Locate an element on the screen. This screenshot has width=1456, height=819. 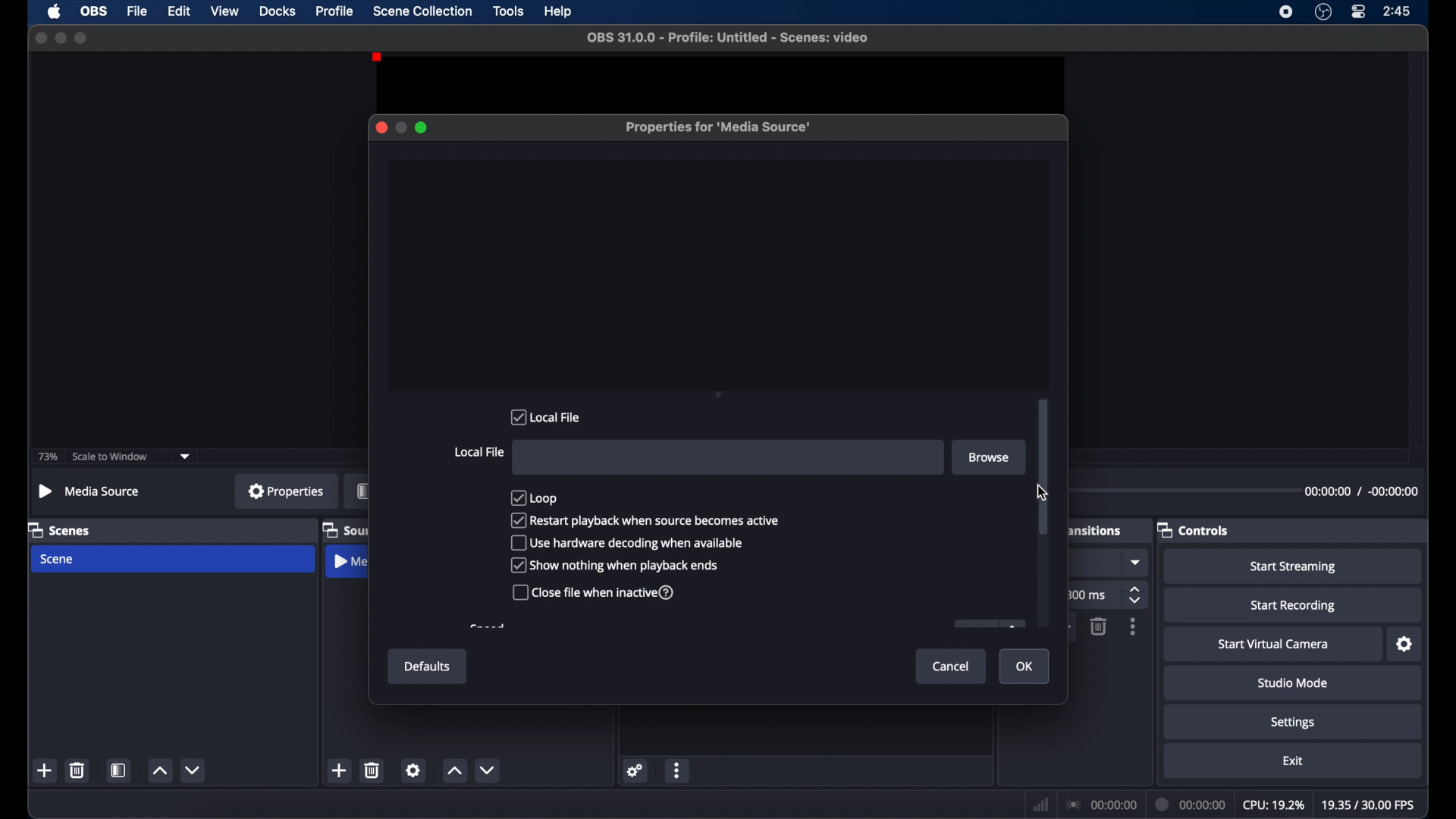
scale to window is located at coordinates (112, 457).